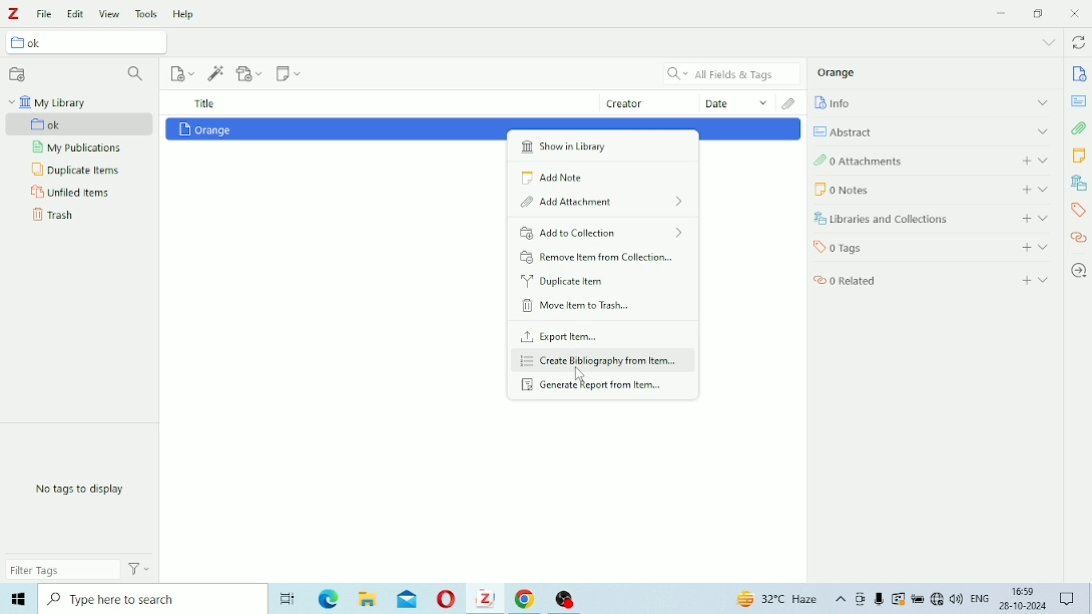 The image size is (1092, 614). Describe the element at coordinates (369, 599) in the screenshot. I see `File Explorer` at that location.